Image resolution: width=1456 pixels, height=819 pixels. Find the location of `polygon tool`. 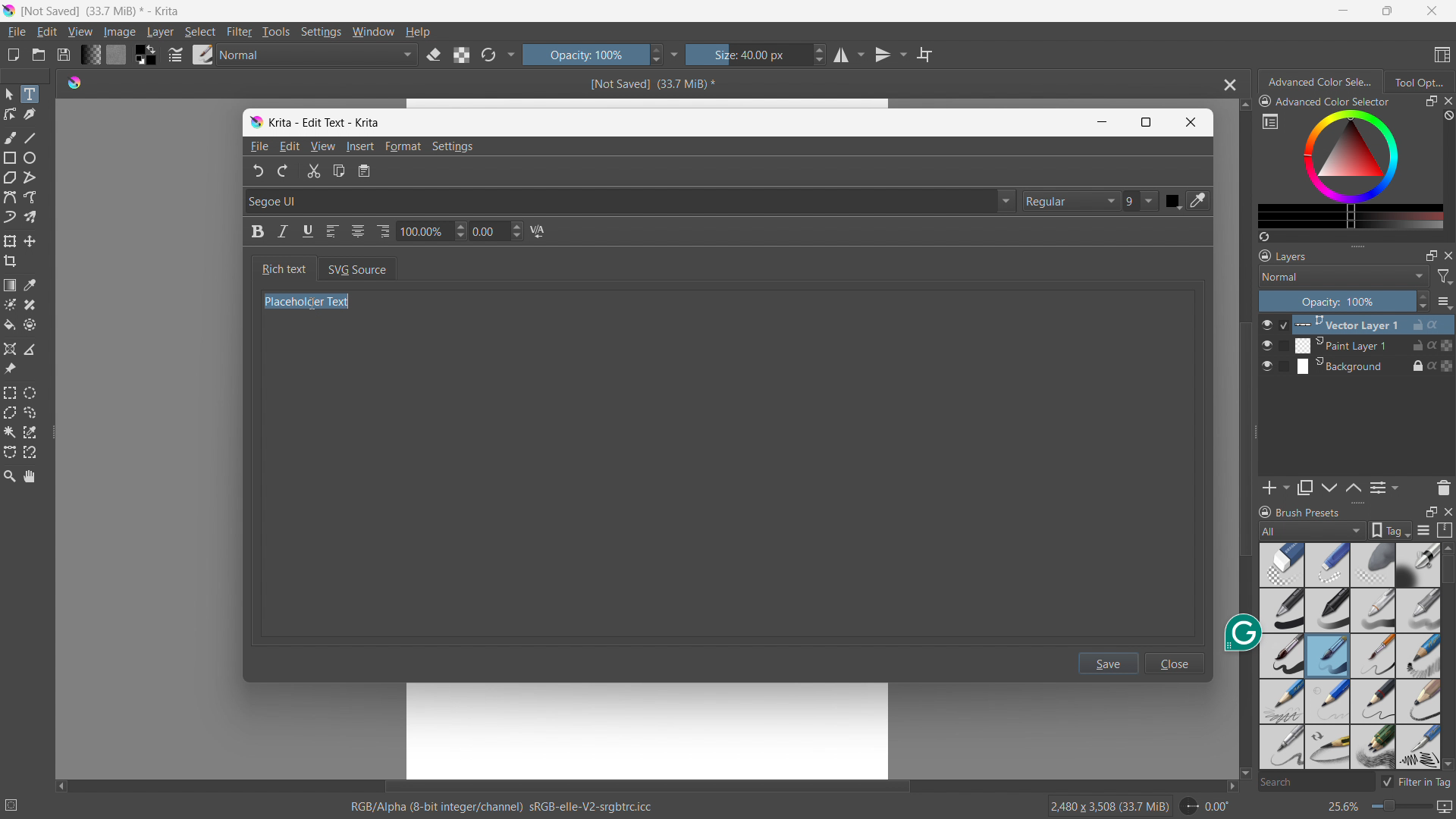

polygon tool is located at coordinates (10, 178).